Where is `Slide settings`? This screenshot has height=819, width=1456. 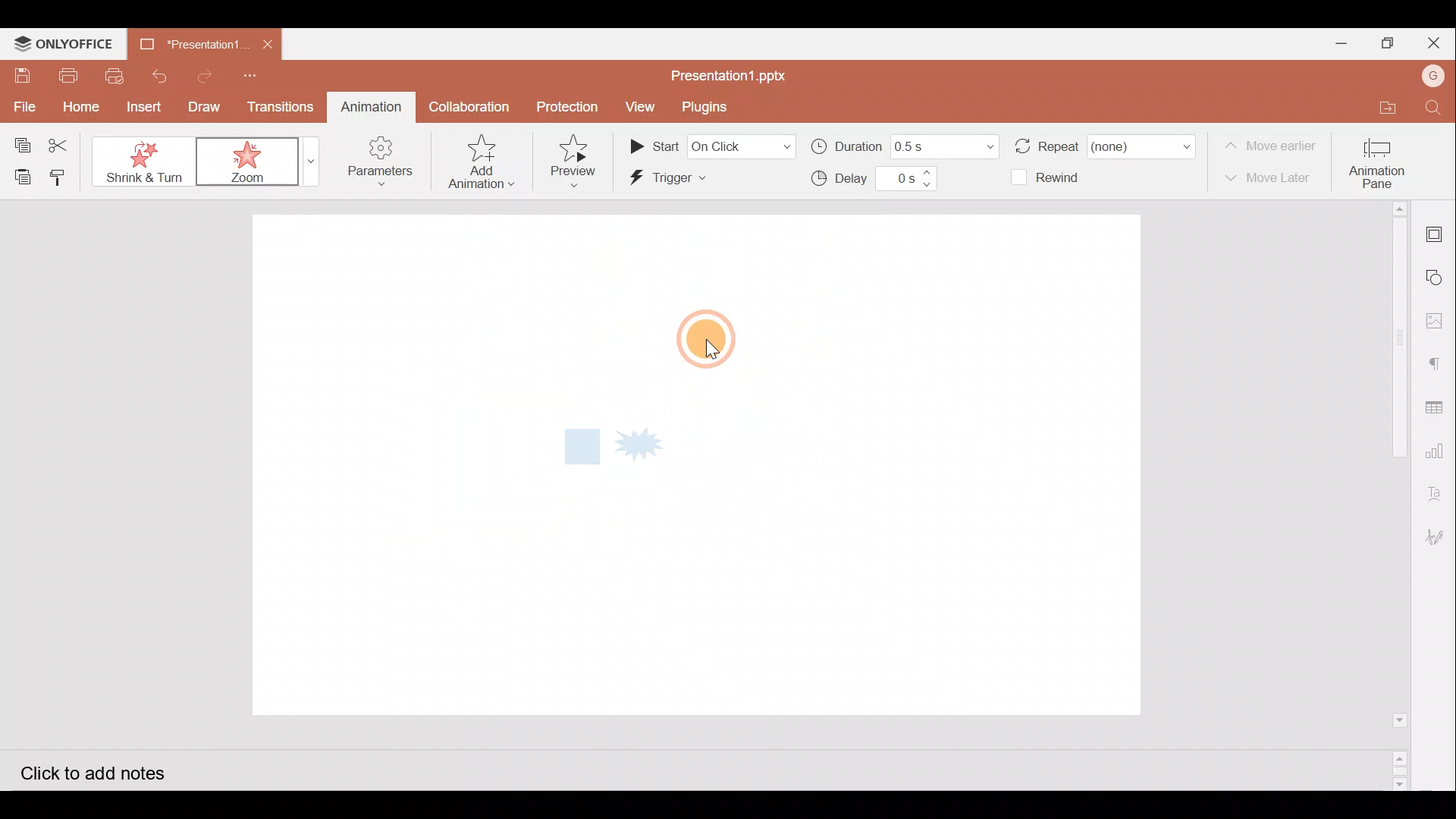
Slide settings is located at coordinates (1436, 232).